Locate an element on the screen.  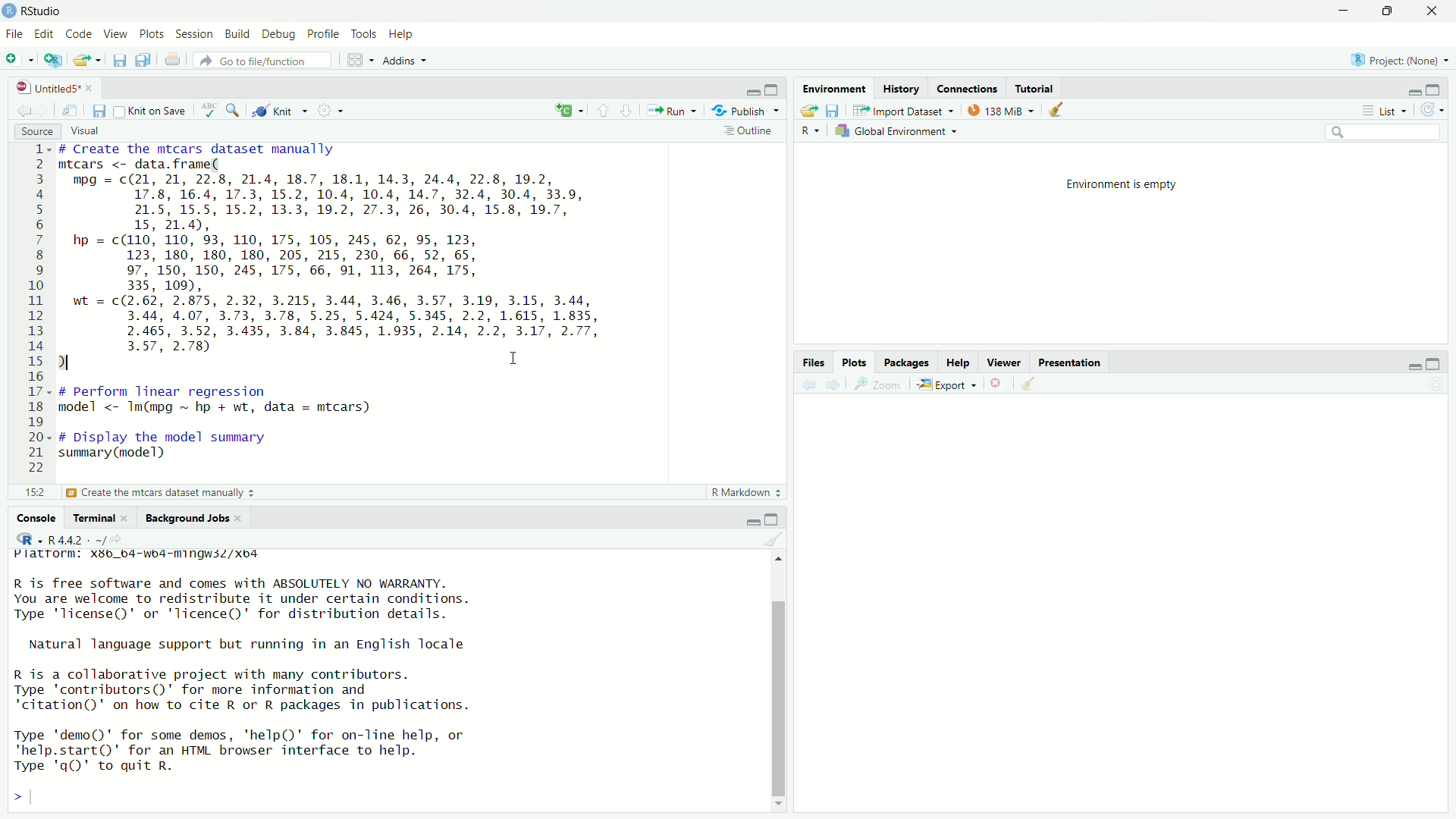
save is located at coordinates (121, 58).